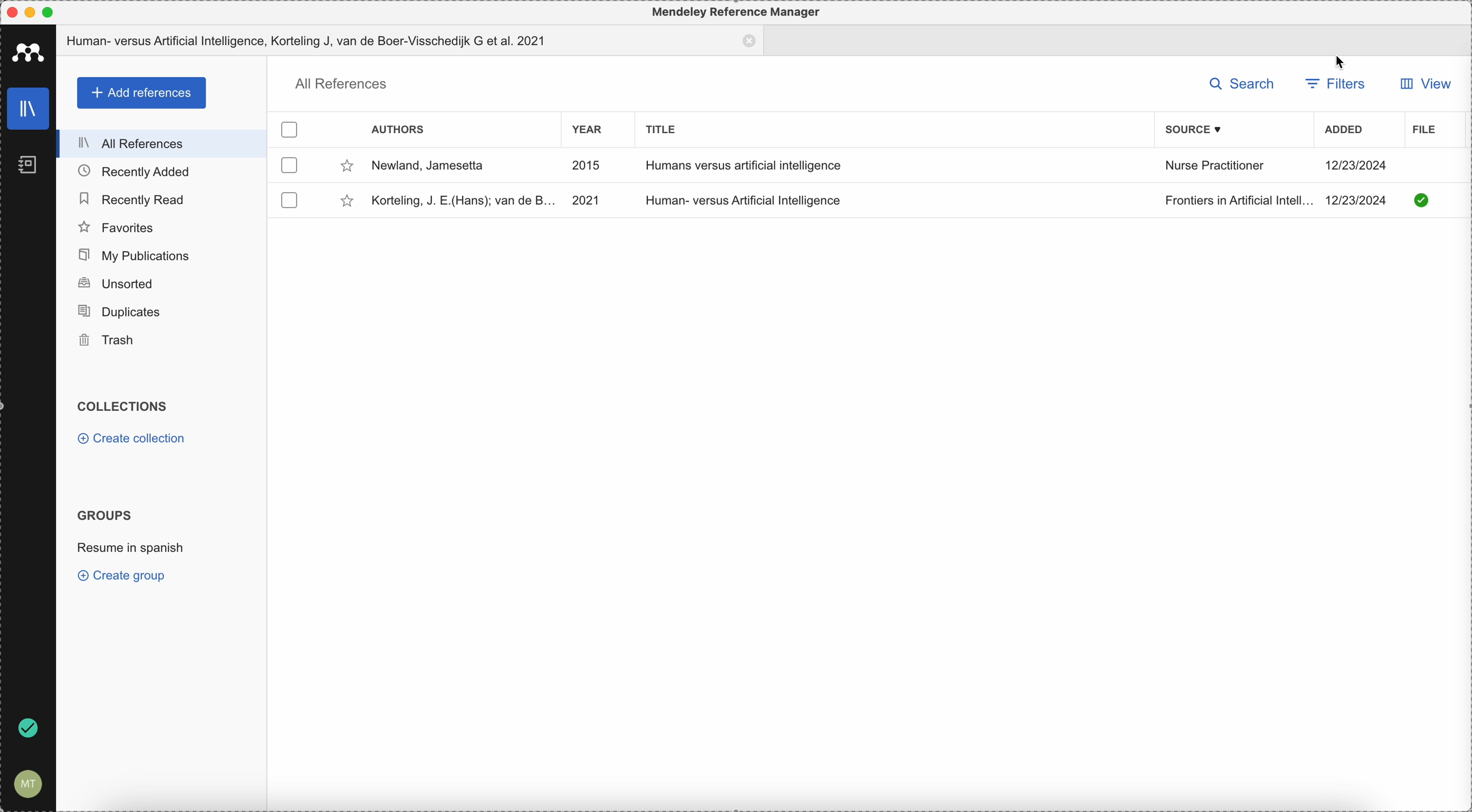 This screenshot has width=1472, height=812. I want to click on account setting, so click(29, 783).